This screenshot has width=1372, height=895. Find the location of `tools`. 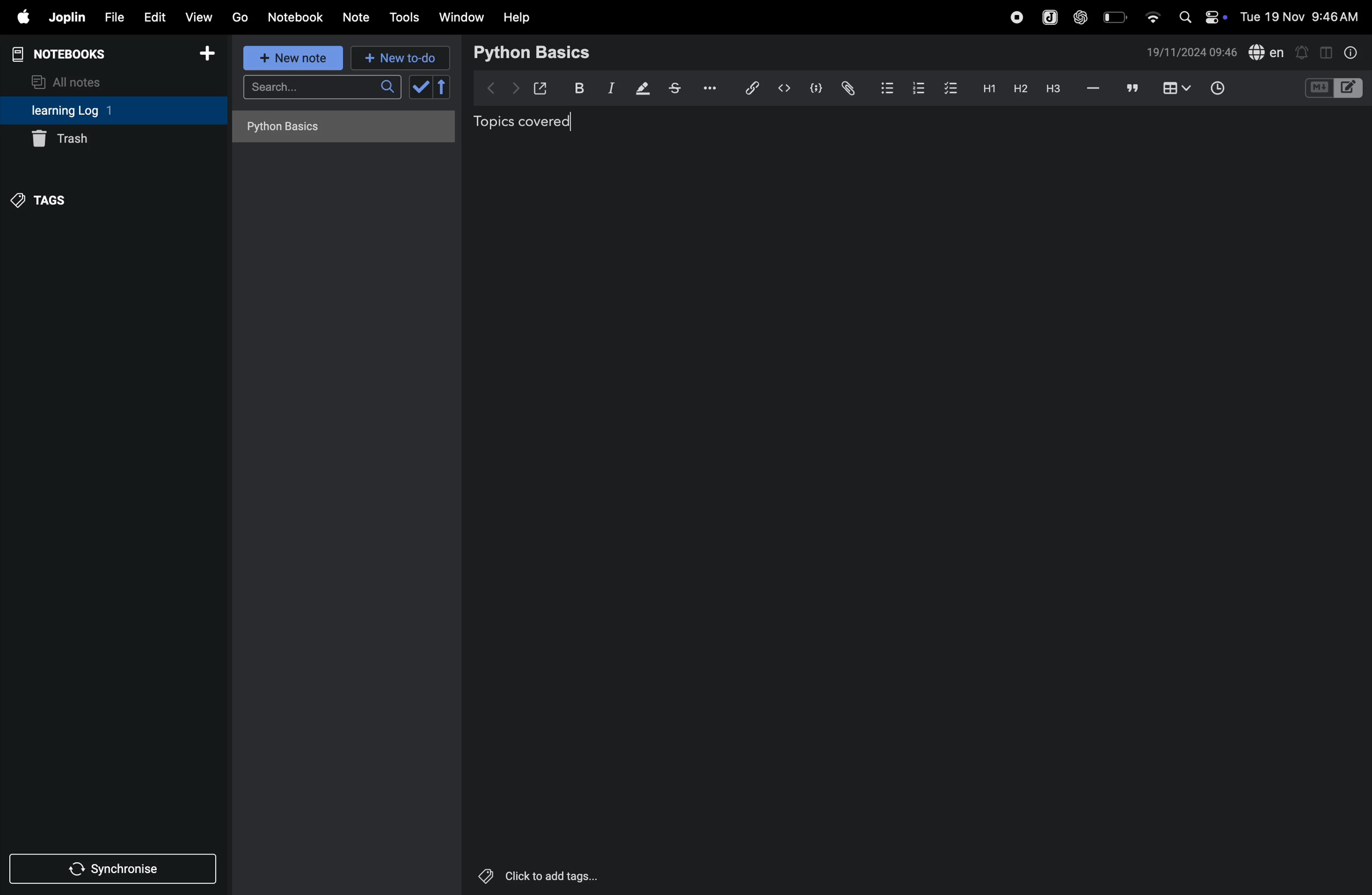

tools is located at coordinates (402, 17).